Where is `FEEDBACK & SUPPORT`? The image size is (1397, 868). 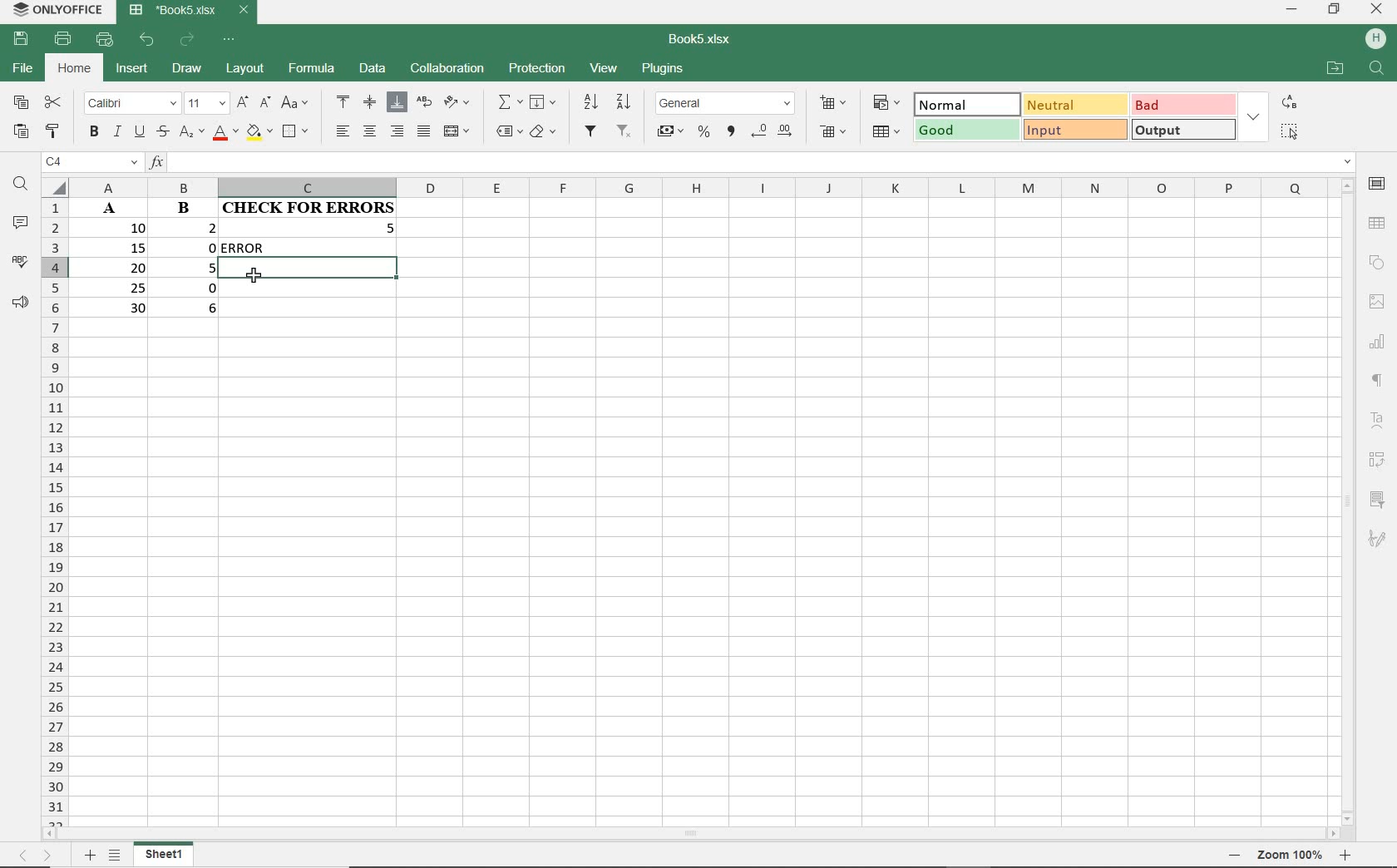
FEEDBACK & SUPPORT is located at coordinates (17, 299).